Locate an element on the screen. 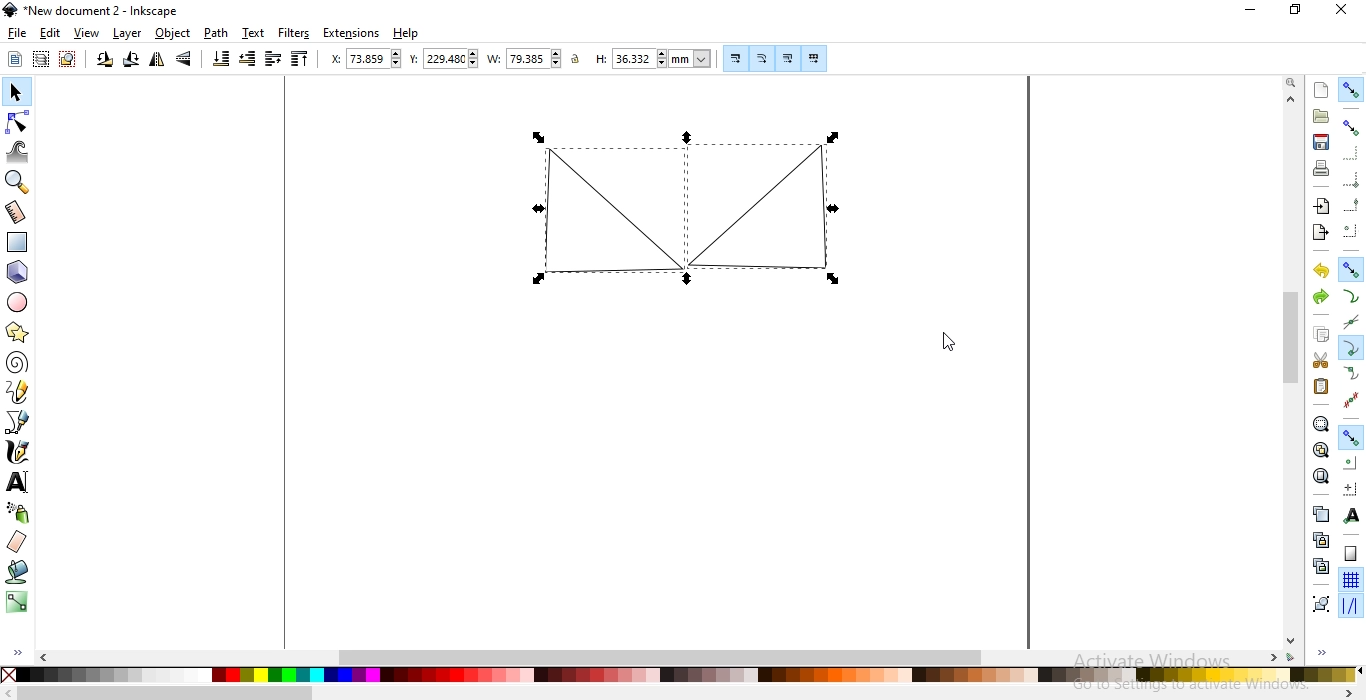  snap smooth nodes incl quadrant points of ellipses is located at coordinates (1351, 373).